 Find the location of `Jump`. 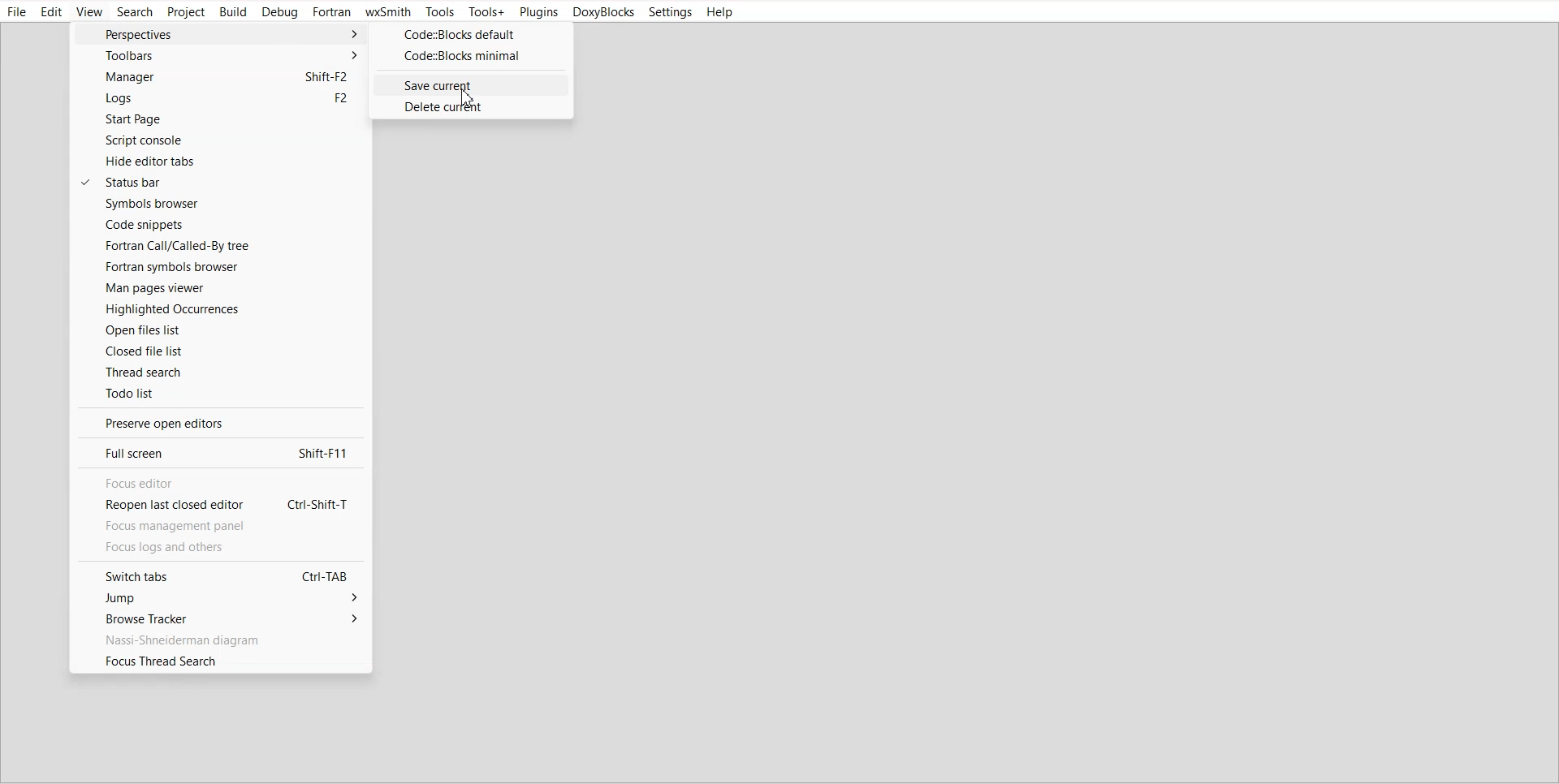

Jump is located at coordinates (218, 599).